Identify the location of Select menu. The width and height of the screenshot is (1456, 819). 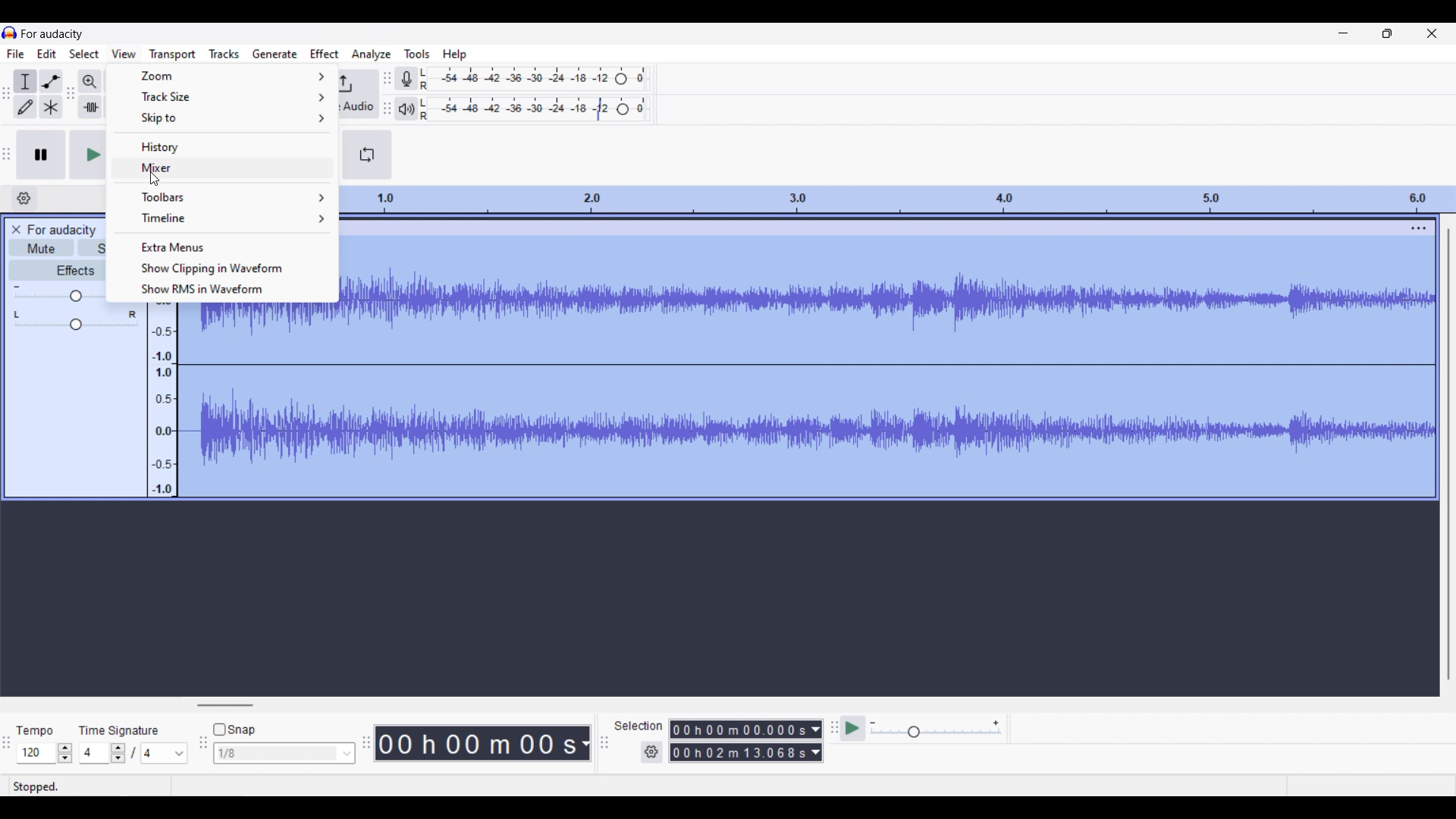
(85, 54).